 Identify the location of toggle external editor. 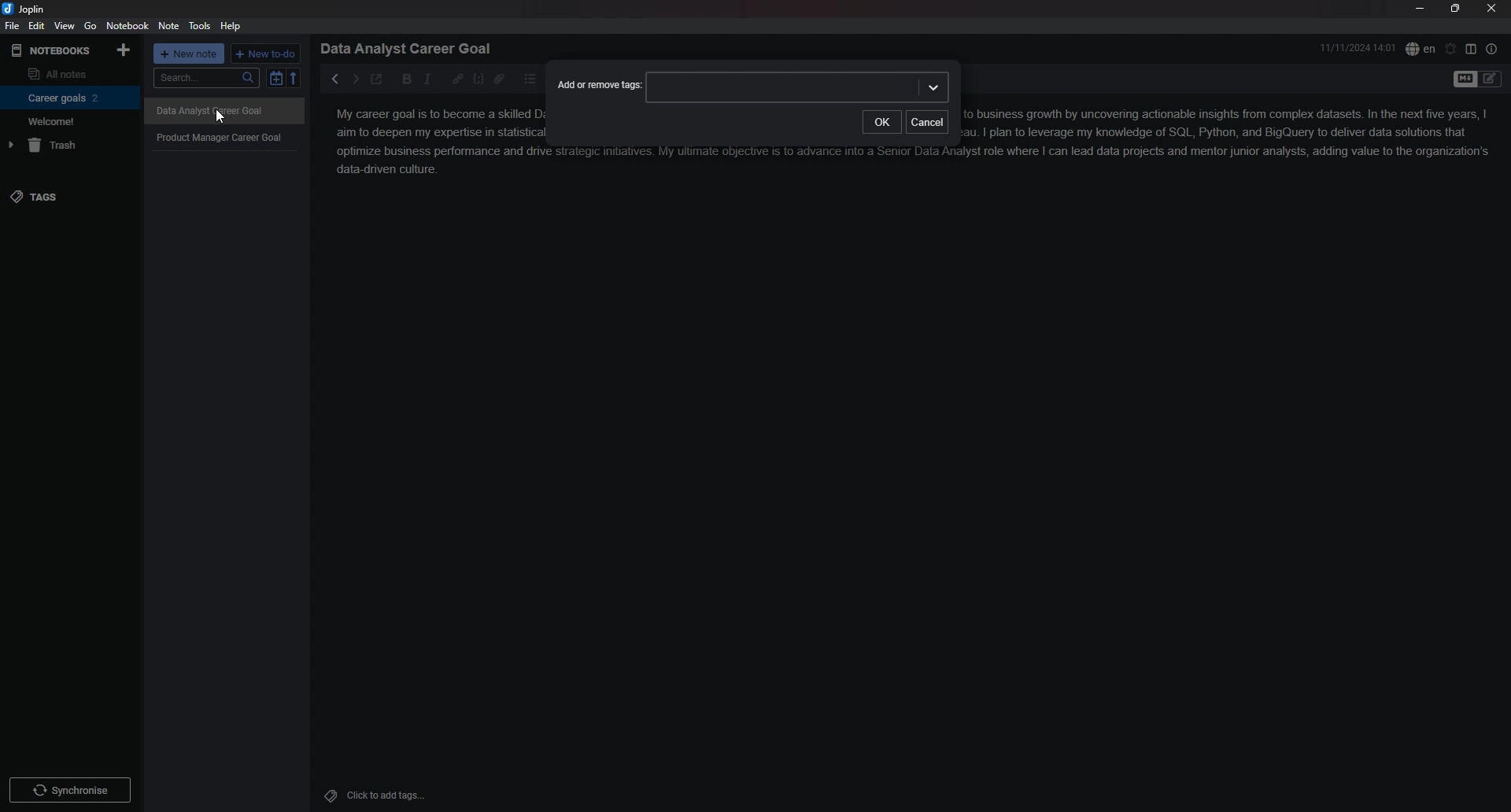
(378, 79).